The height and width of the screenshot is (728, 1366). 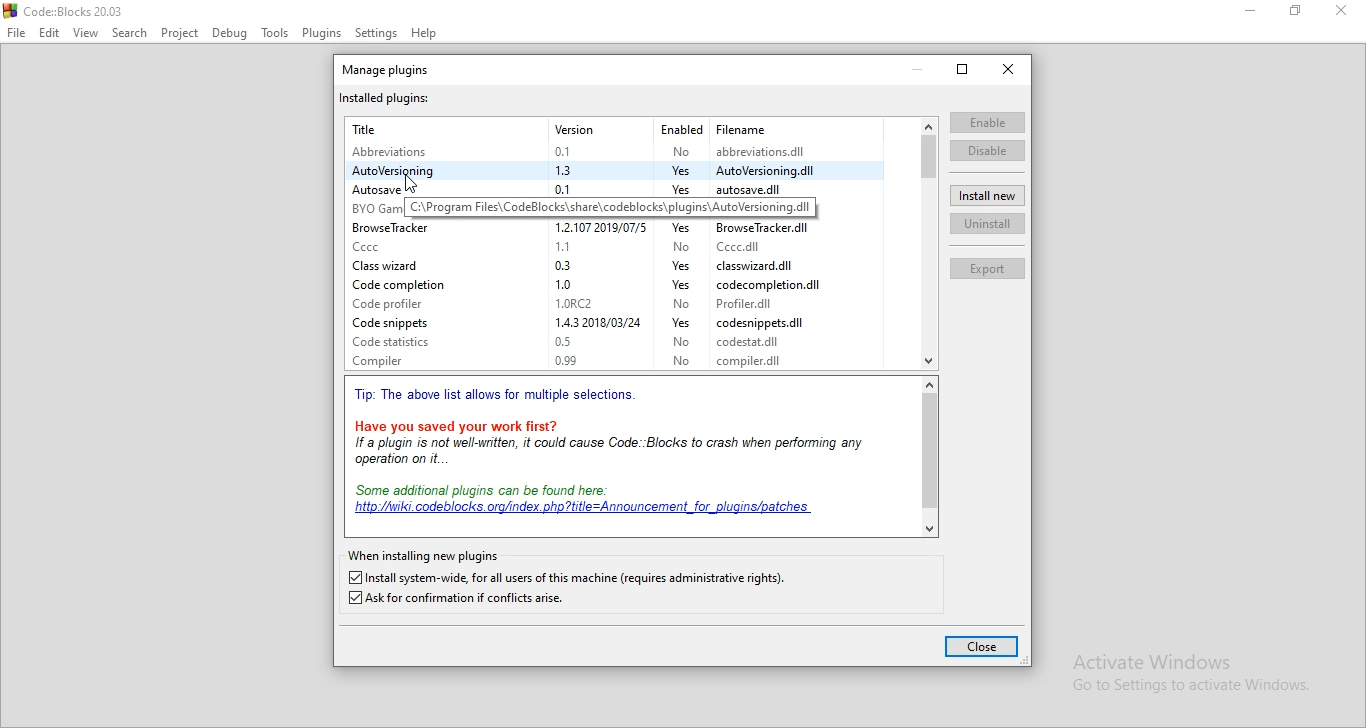 What do you see at coordinates (928, 157) in the screenshot?
I see `Vertical Scroll bar` at bounding box center [928, 157].